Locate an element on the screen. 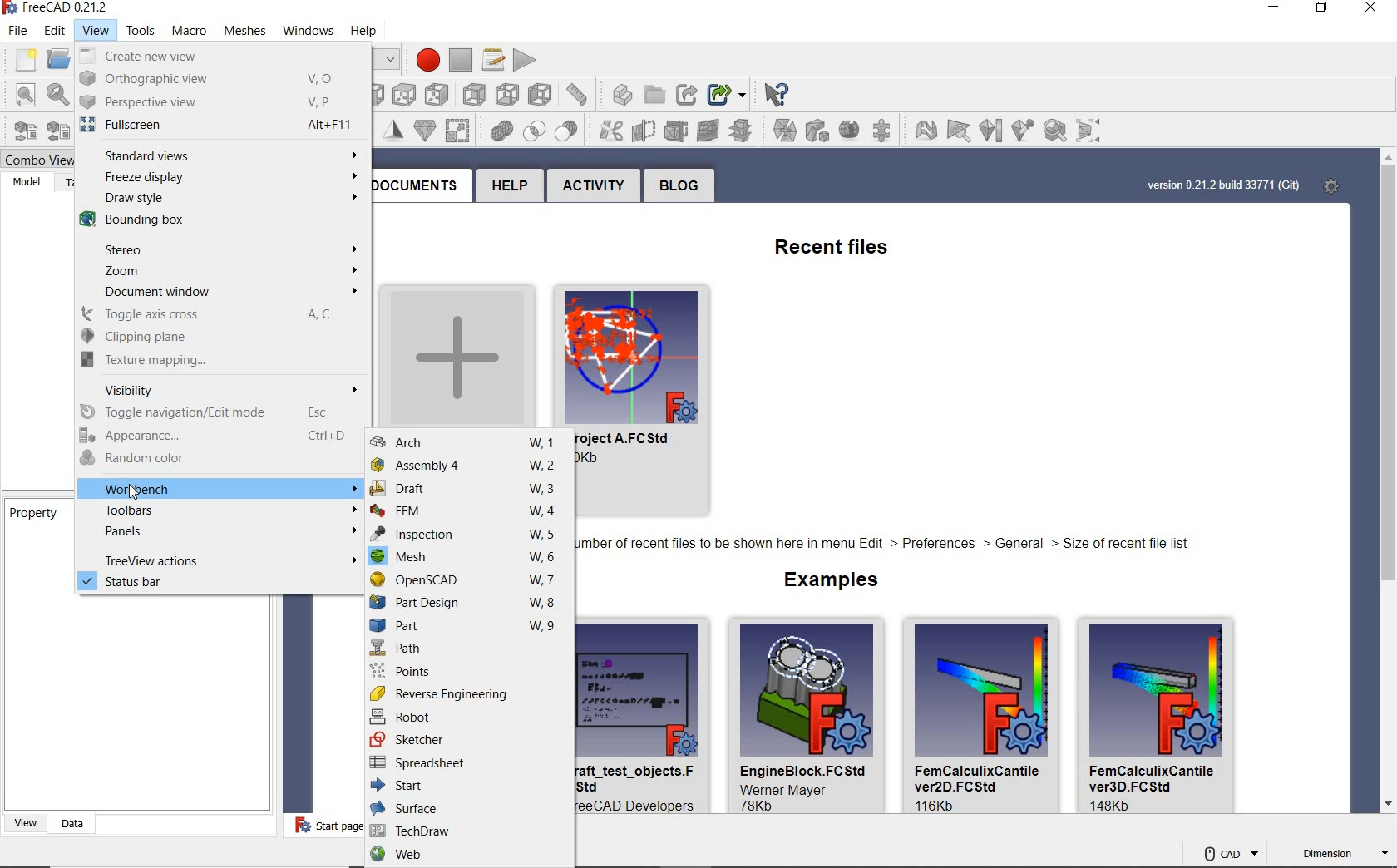  left is located at coordinates (507, 93).